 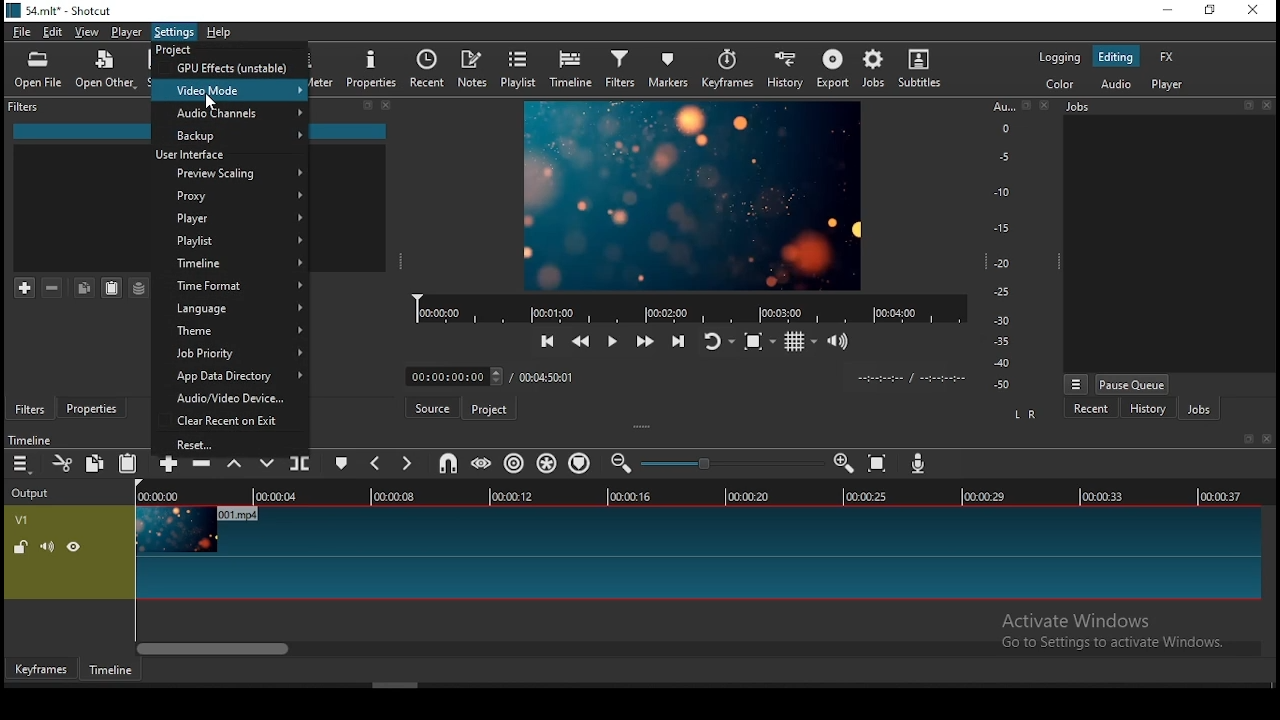 What do you see at coordinates (515, 496) in the screenshot?
I see `00:00:12` at bounding box center [515, 496].